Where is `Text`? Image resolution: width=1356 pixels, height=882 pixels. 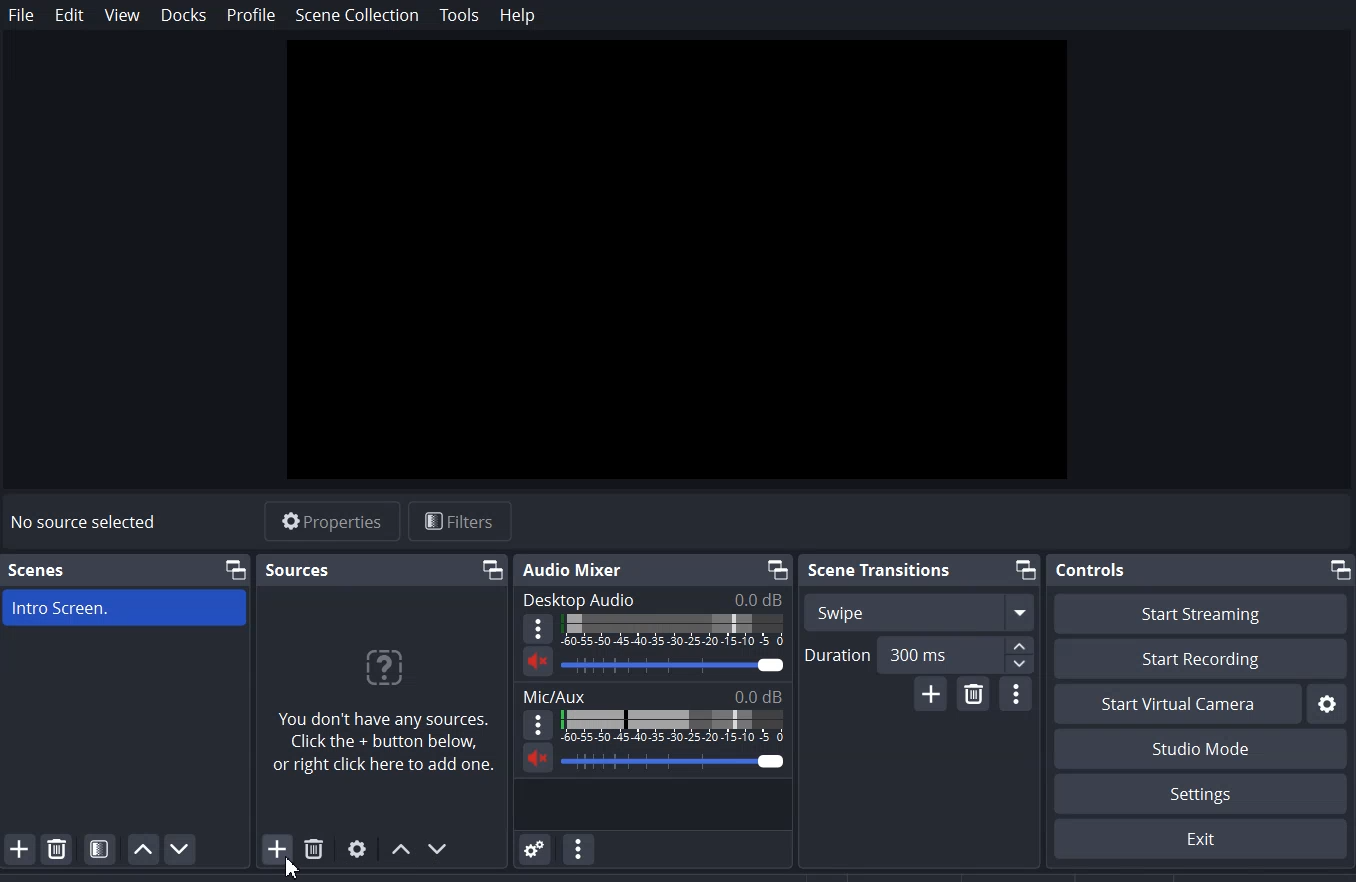
Text is located at coordinates (651, 695).